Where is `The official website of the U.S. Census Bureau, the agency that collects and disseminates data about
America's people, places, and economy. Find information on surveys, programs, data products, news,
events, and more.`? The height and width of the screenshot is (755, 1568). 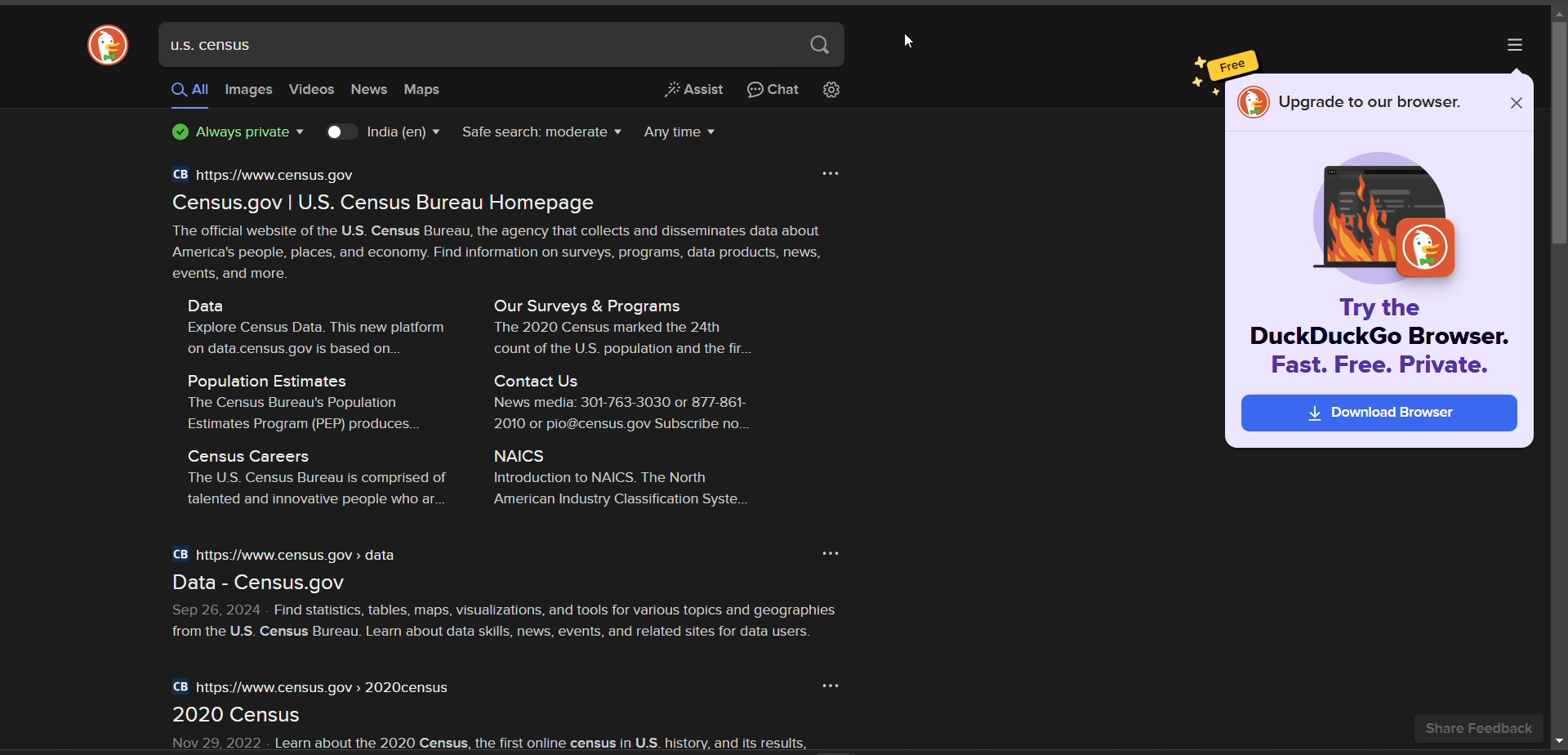
The official website of the U.S. Census Bureau, the agency that collects and disseminates data about
America's people, places, and economy. Find information on surveys, programs, data products, news,
events, and more. is located at coordinates (514, 251).